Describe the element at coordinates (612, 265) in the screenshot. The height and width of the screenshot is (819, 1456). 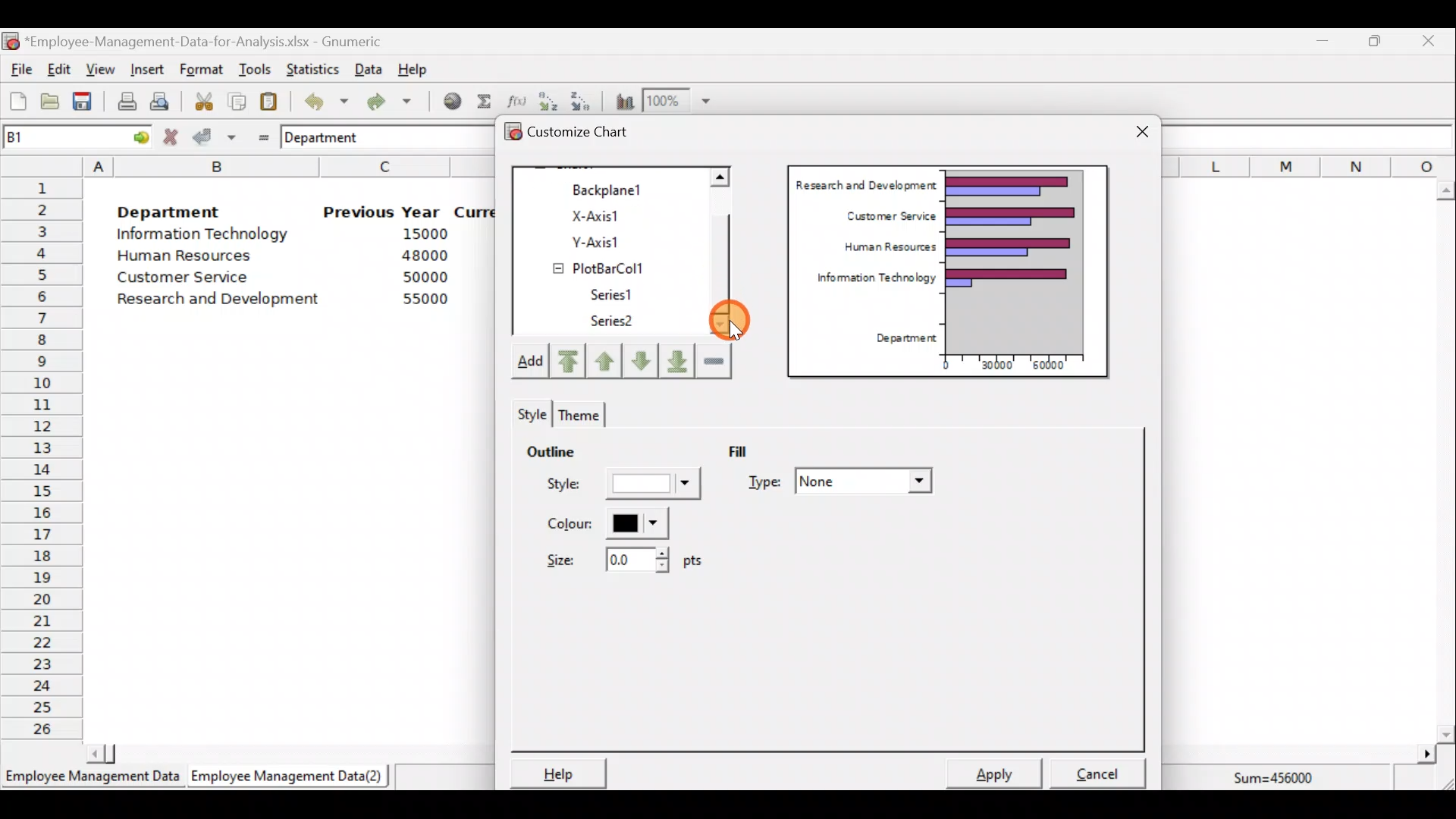
I see `PlotBarCol1` at that location.